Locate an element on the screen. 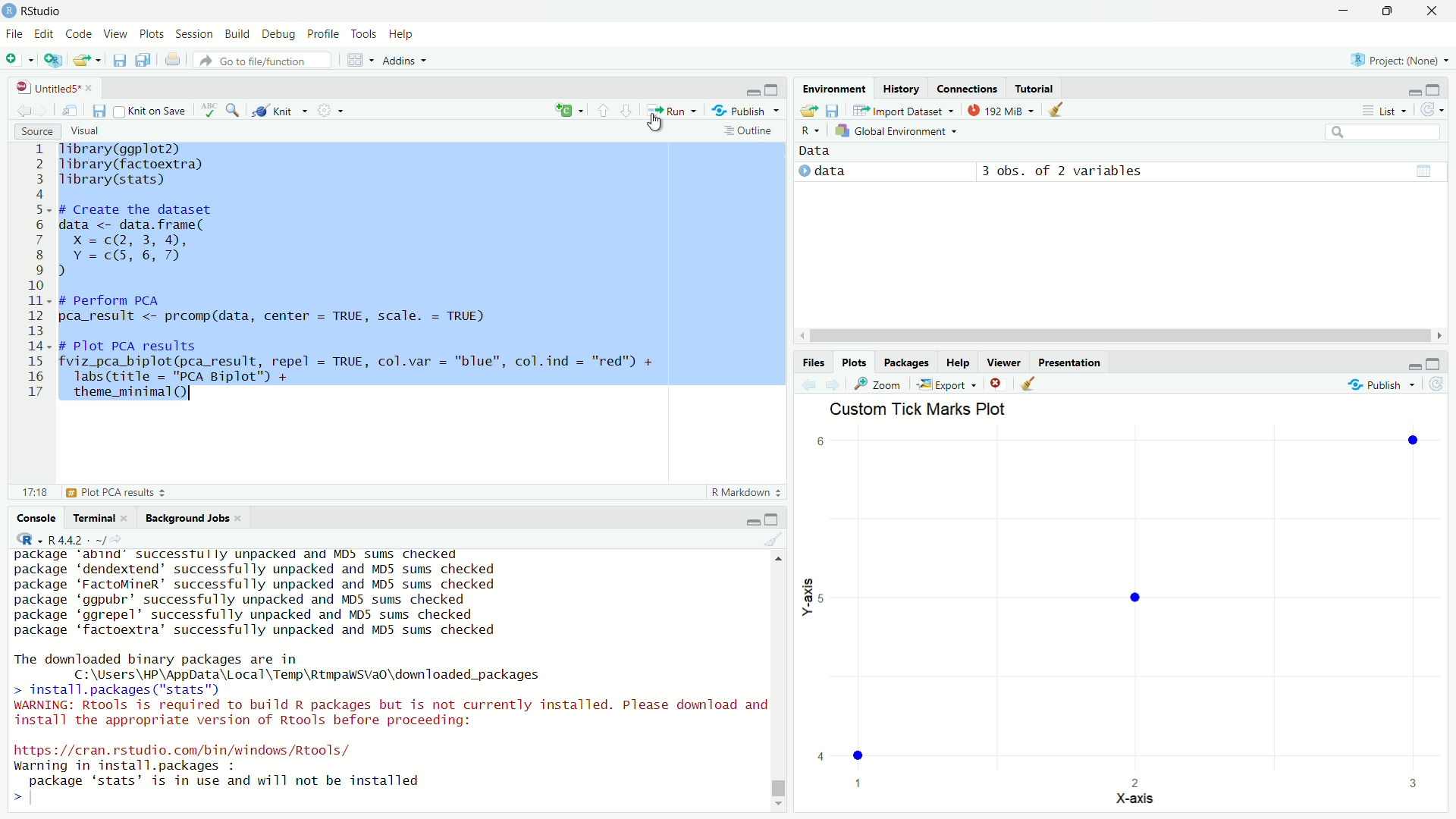  Close is located at coordinates (1432, 11).